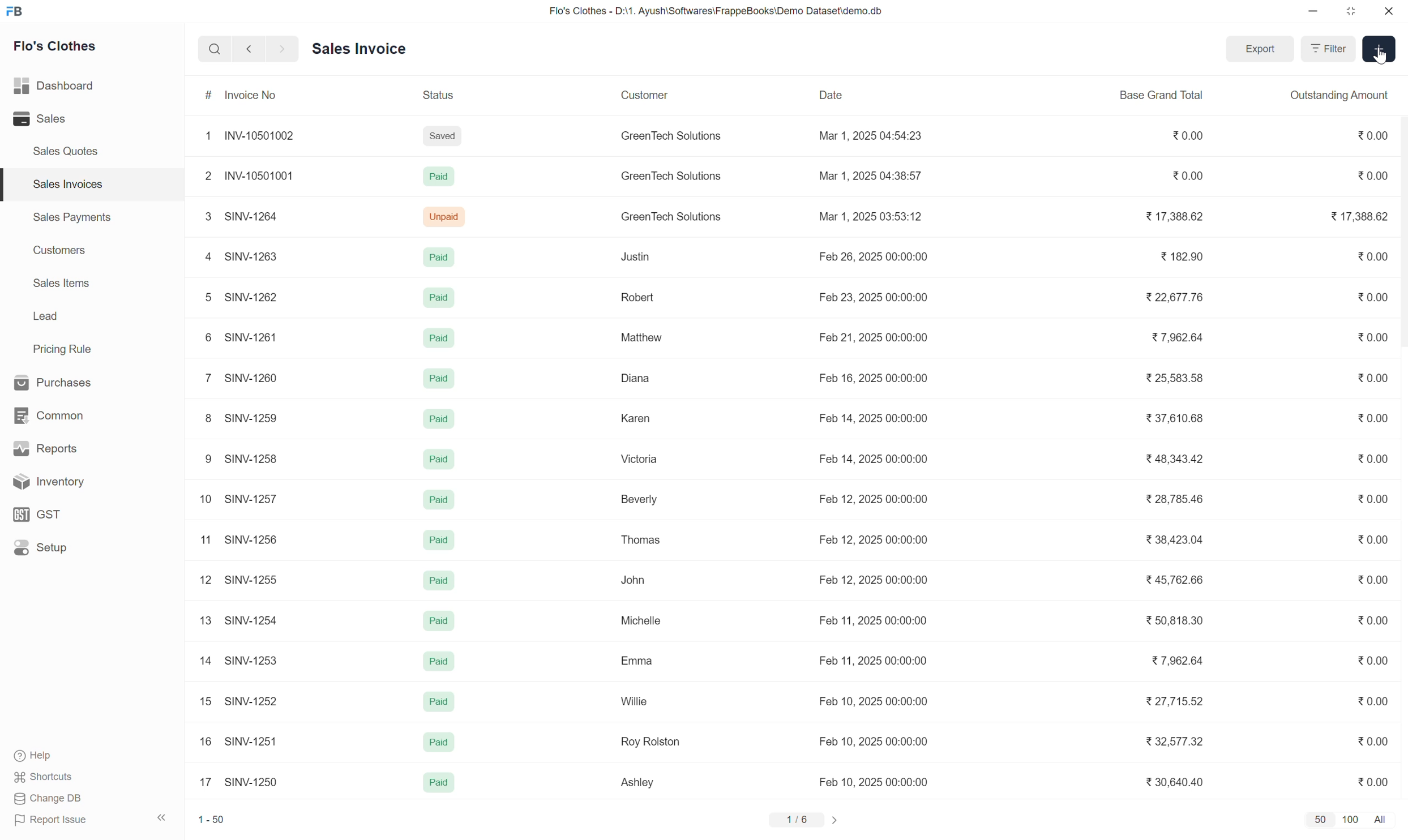 This screenshot has height=840, width=1408. What do you see at coordinates (436, 704) in the screenshot?
I see `Paid` at bounding box center [436, 704].